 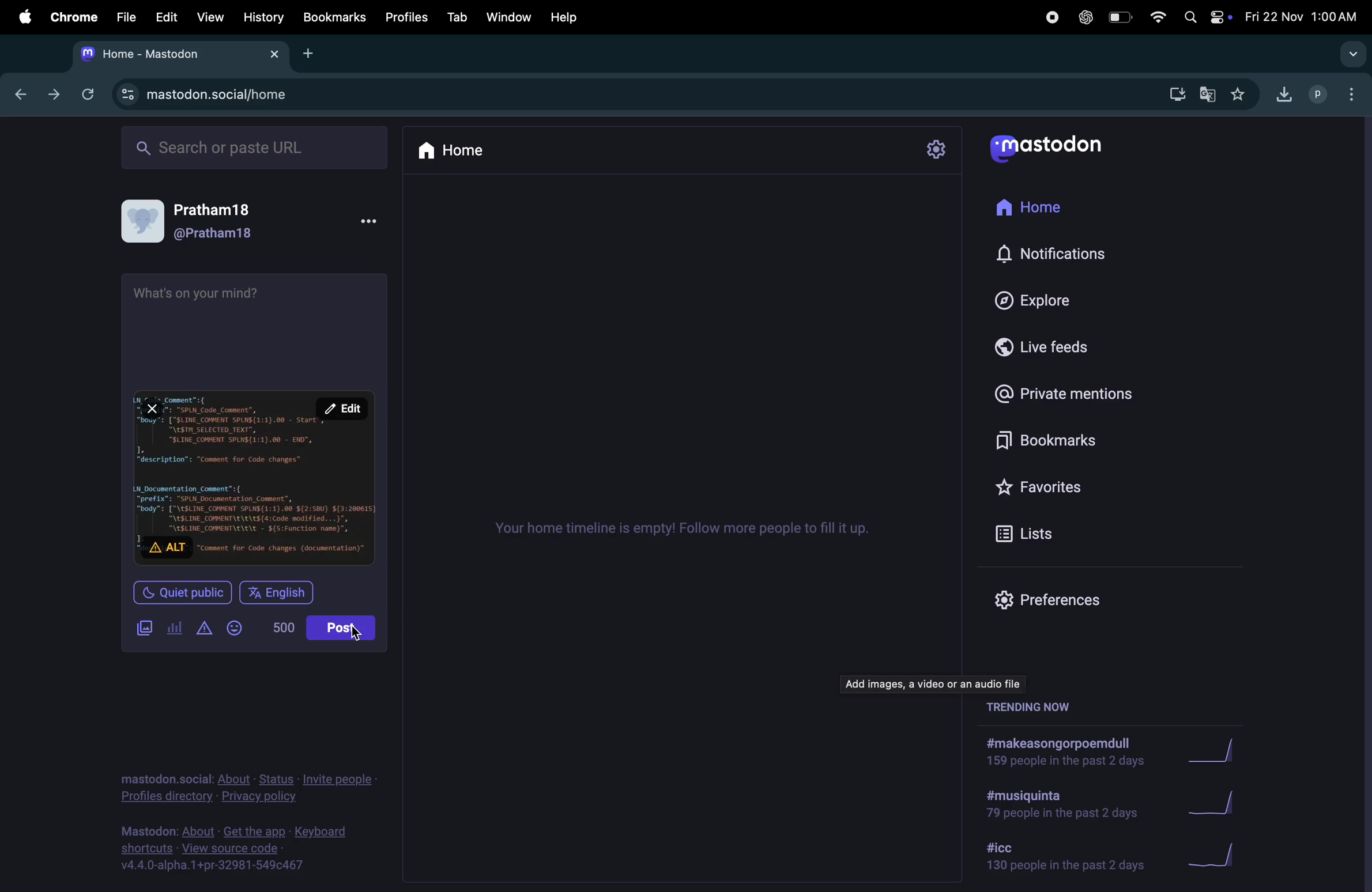 What do you see at coordinates (22, 96) in the screenshot?
I see `previous tab` at bounding box center [22, 96].